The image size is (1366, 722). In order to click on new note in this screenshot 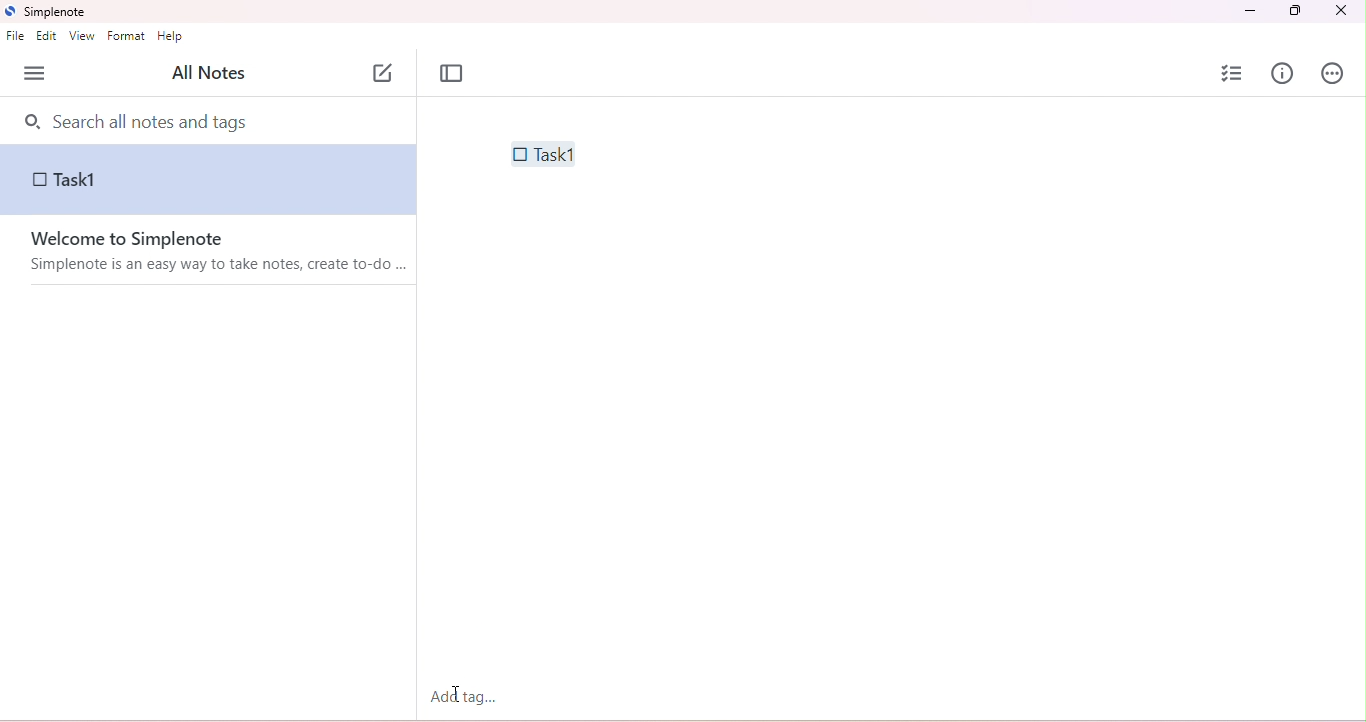, I will do `click(384, 70)`.